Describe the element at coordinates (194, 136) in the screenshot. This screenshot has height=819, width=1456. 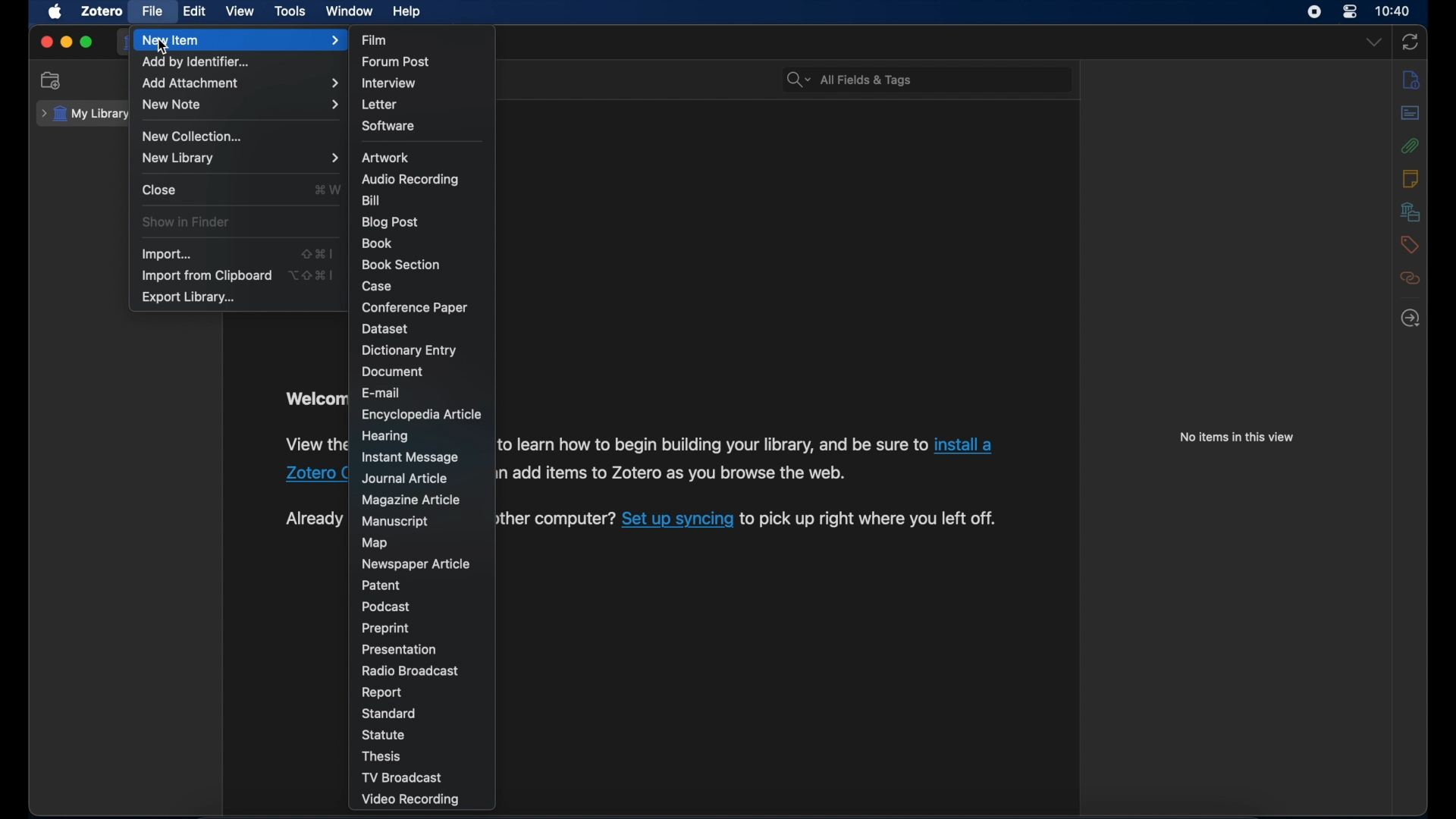
I see `new collection` at that location.